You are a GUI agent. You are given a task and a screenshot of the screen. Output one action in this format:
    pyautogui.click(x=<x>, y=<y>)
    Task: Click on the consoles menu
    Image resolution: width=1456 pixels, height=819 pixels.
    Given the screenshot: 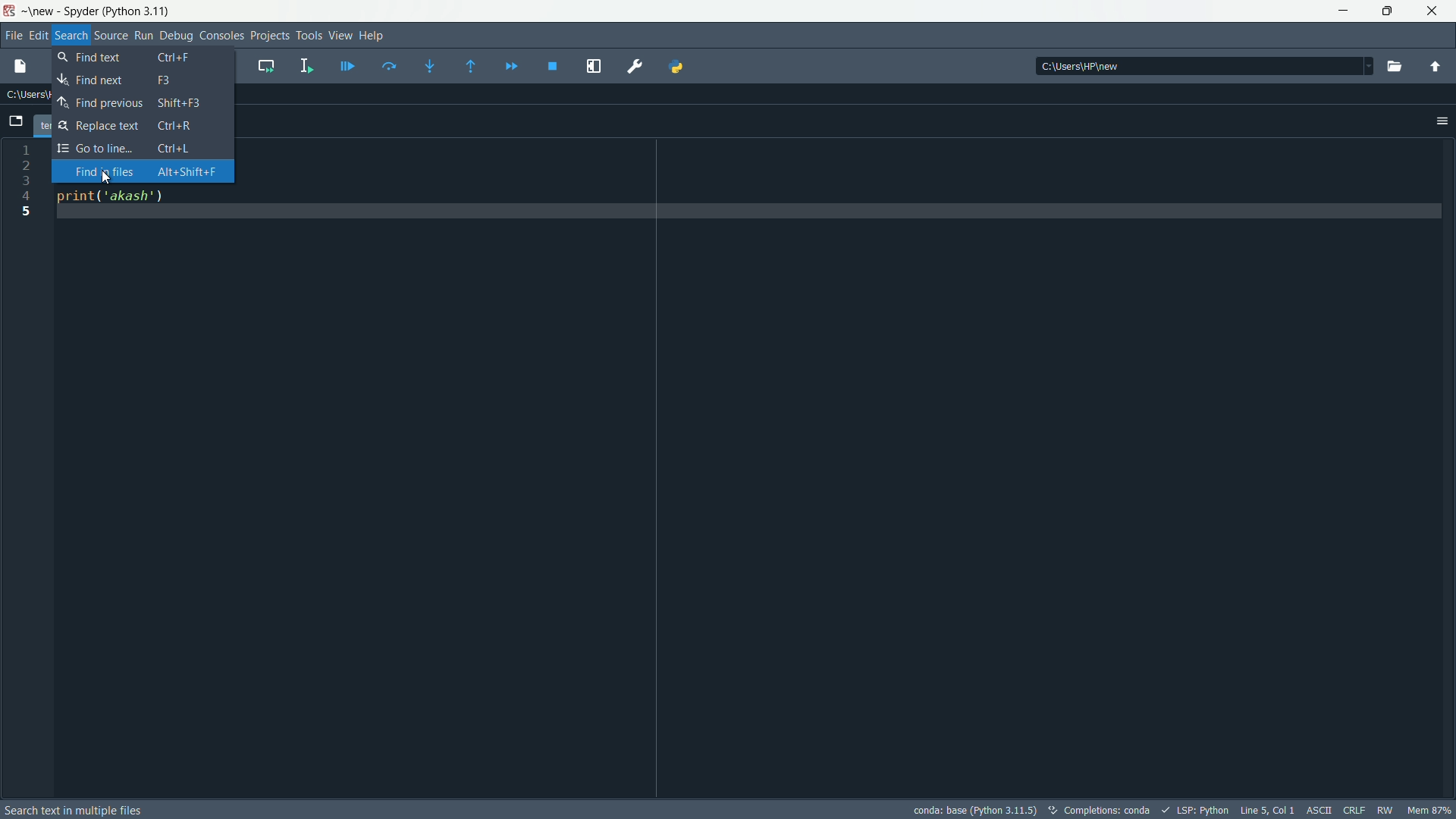 What is the action you would take?
    pyautogui.click(x=221, y=36)
    